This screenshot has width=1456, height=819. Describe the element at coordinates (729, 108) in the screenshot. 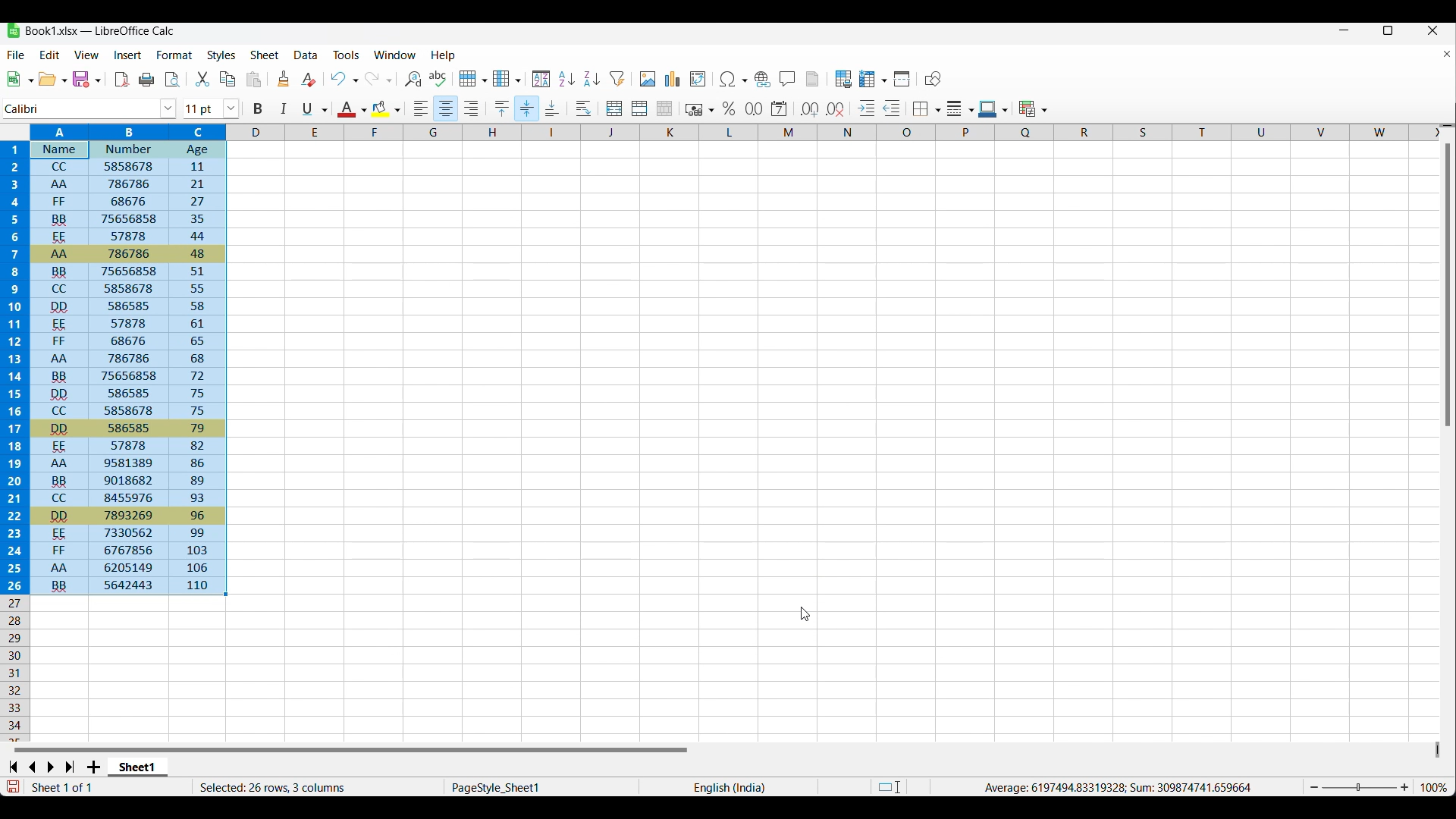

I see `Format as percent` at that location.